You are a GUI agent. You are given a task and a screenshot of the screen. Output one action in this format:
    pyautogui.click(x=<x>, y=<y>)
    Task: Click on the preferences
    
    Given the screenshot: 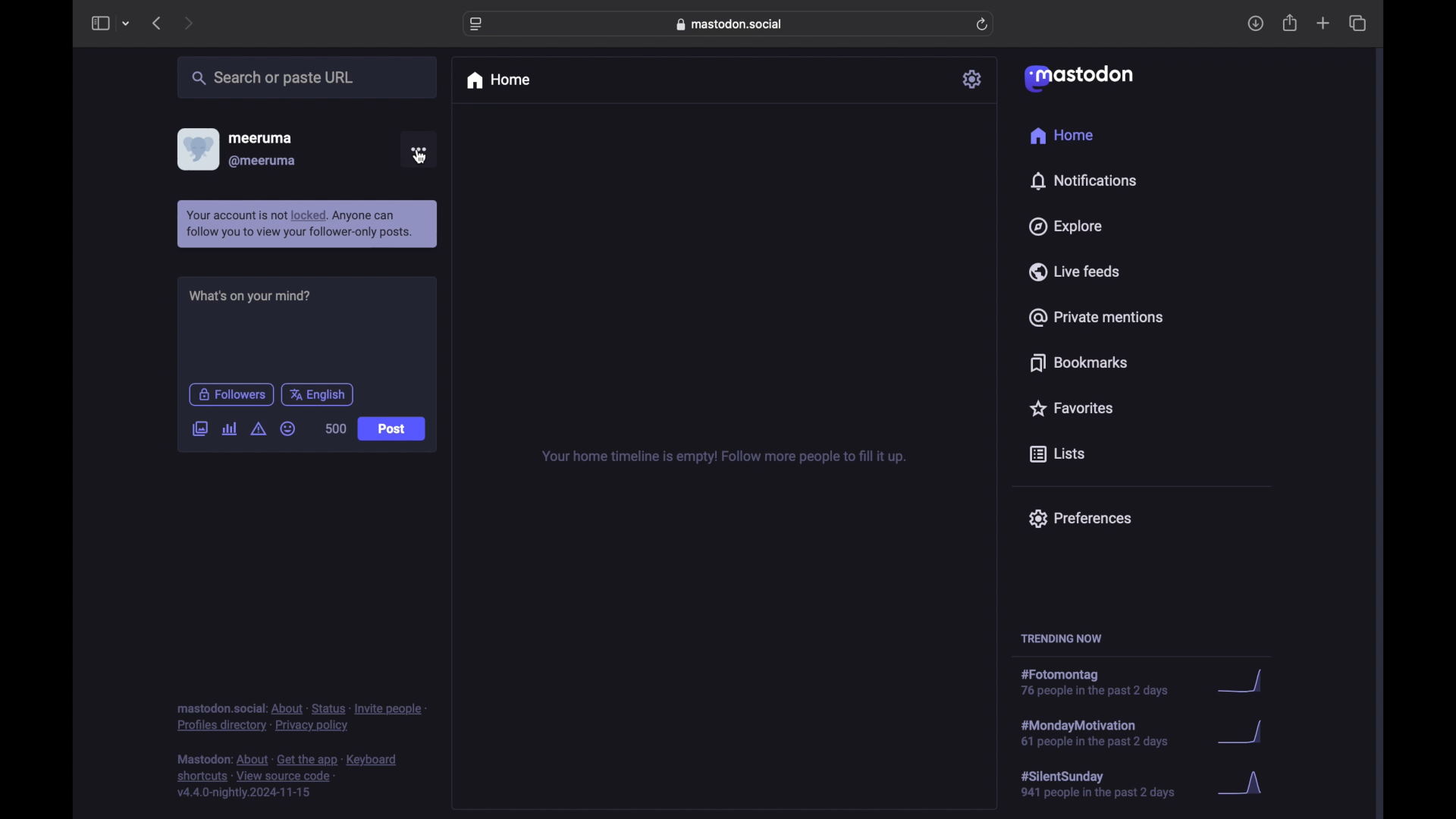 What is the action you would take?
    pyautogui.click(x=1080, y=519)
    